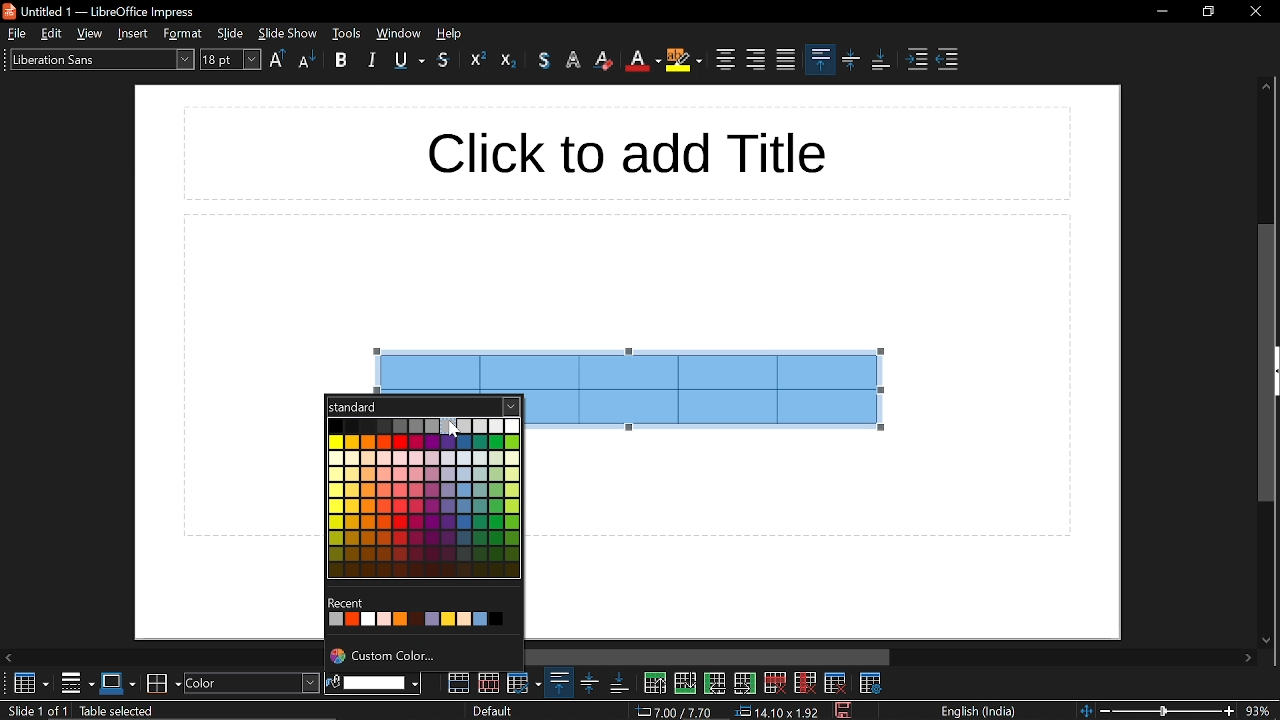 The image size is (1280, 720). What do you see at coordinates (853, 62) in the screenshot?
I see `center vertically` at bounding box center [853, 62].